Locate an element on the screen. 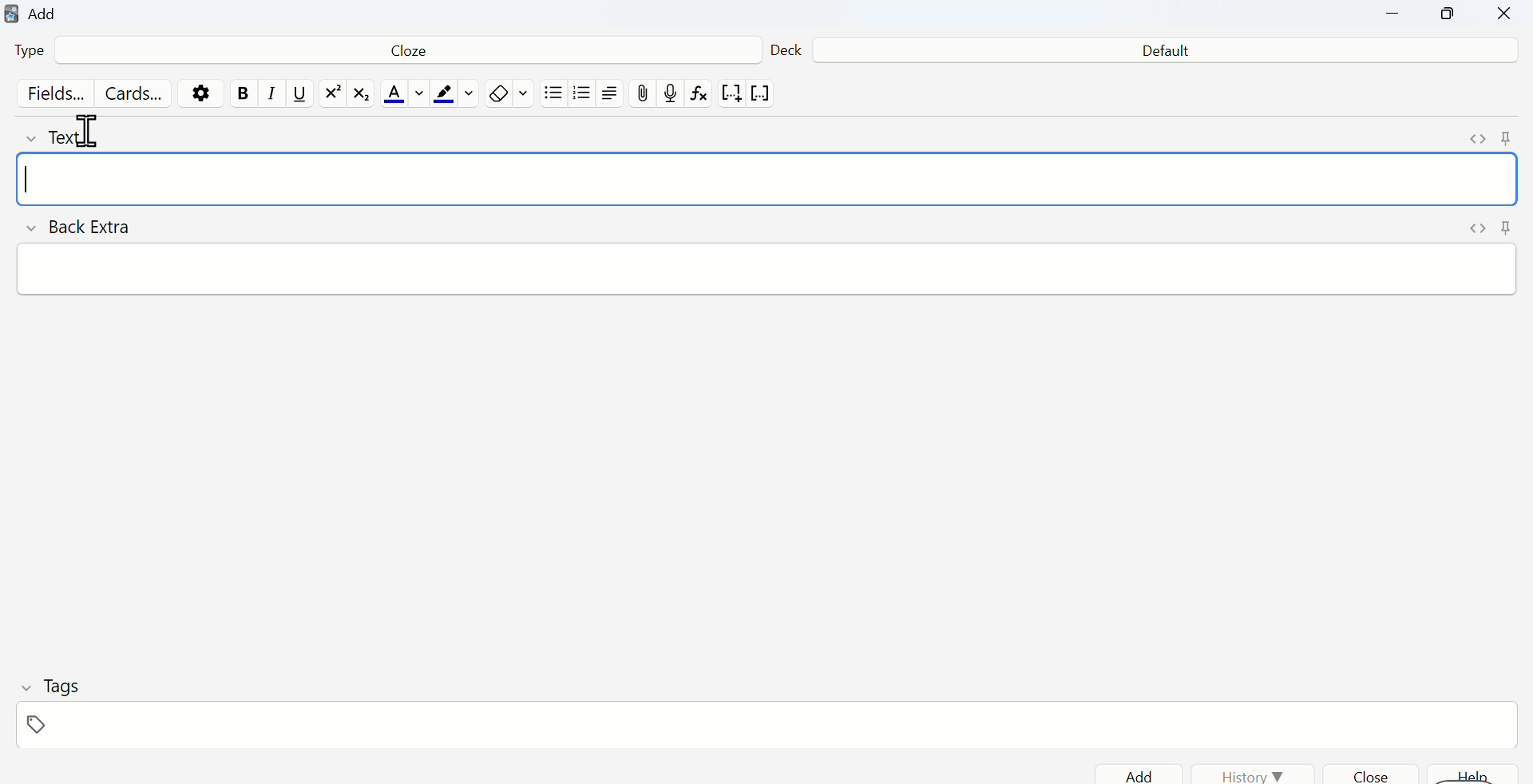  Bullet list is located at coordinates (553, 97).